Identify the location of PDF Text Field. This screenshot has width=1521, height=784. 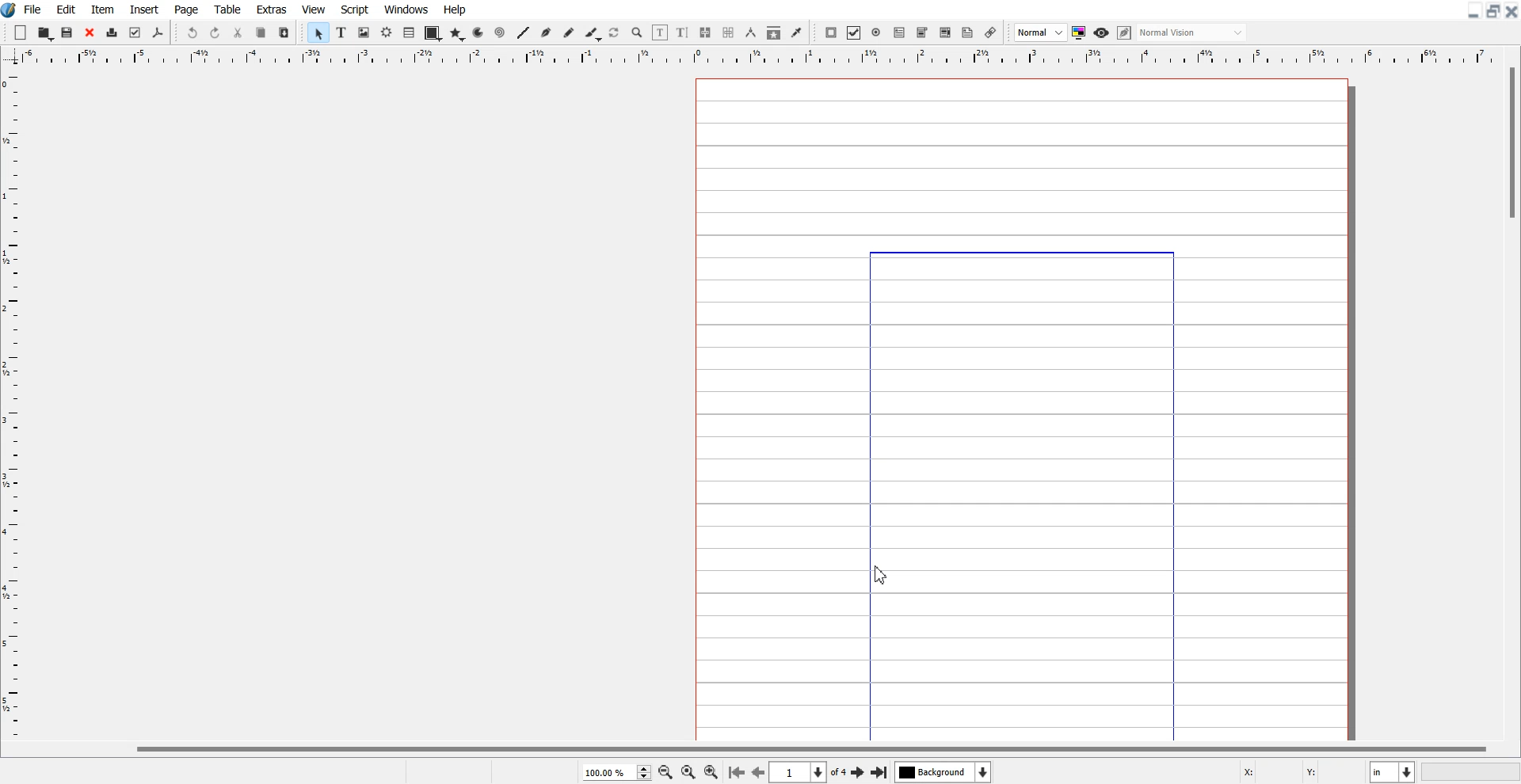
(899, 32).